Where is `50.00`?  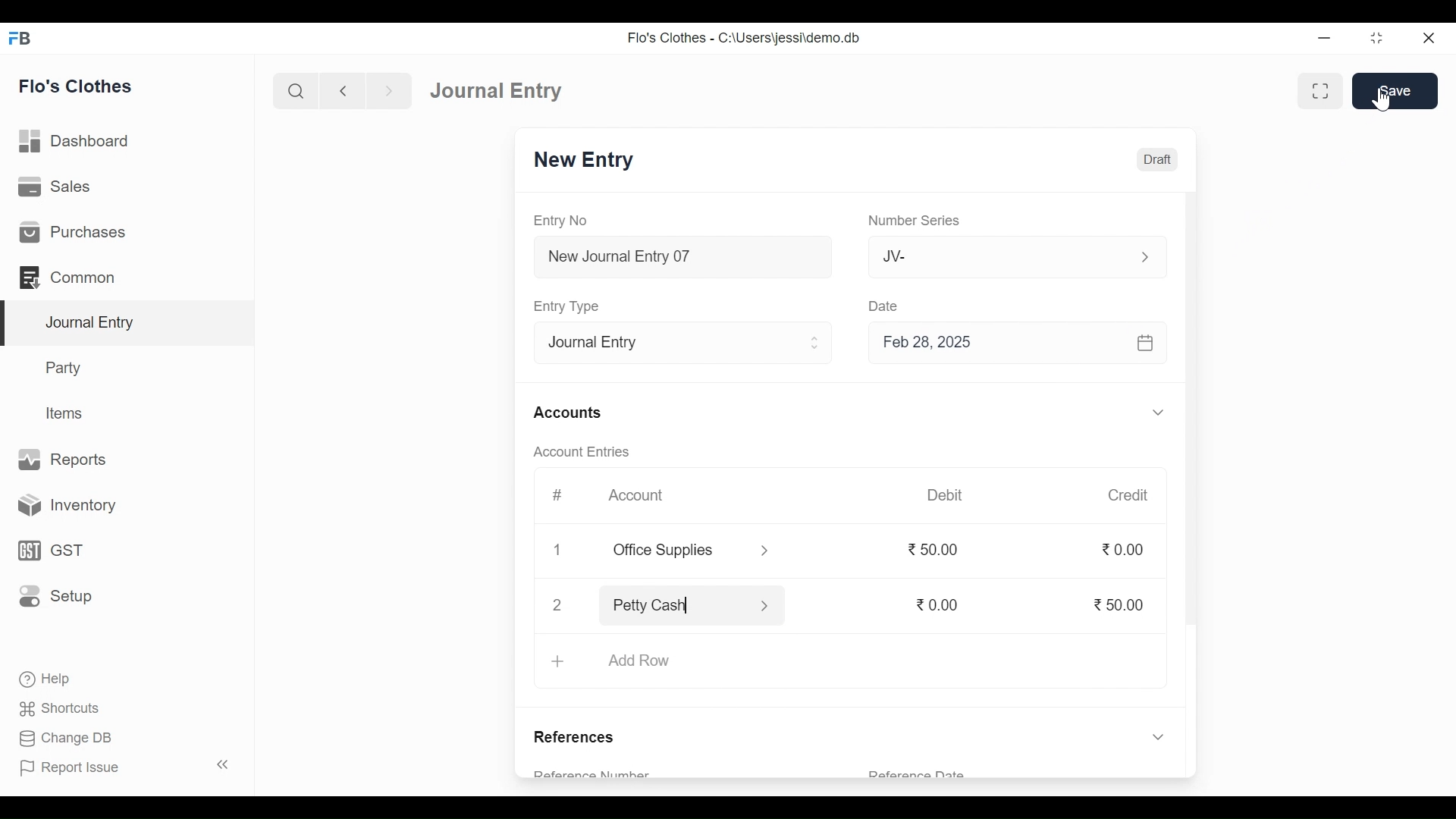 50.00 is located at coordinates (1119, 606).